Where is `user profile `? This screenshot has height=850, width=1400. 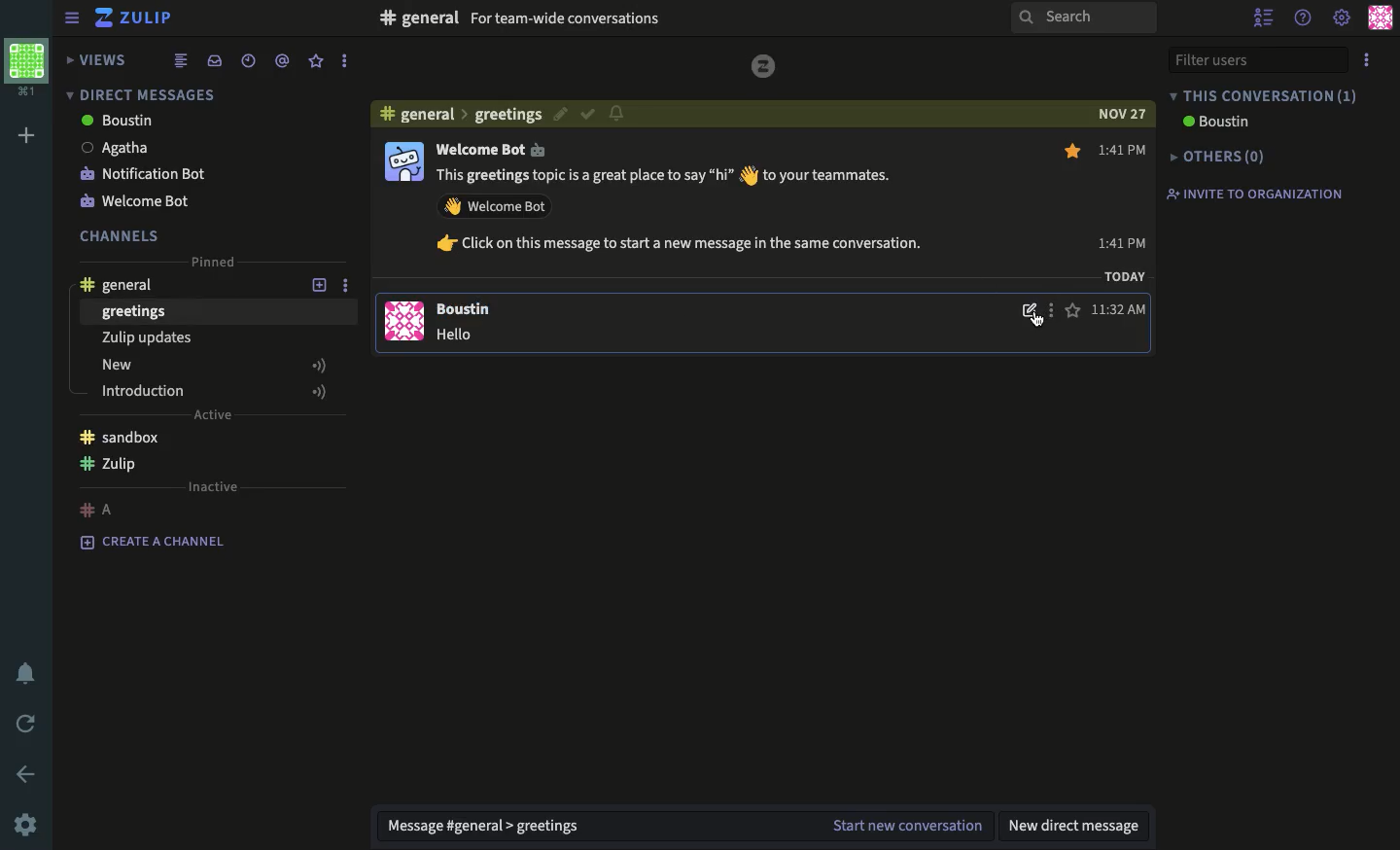 user profile  is located at coordinates (406, 242).